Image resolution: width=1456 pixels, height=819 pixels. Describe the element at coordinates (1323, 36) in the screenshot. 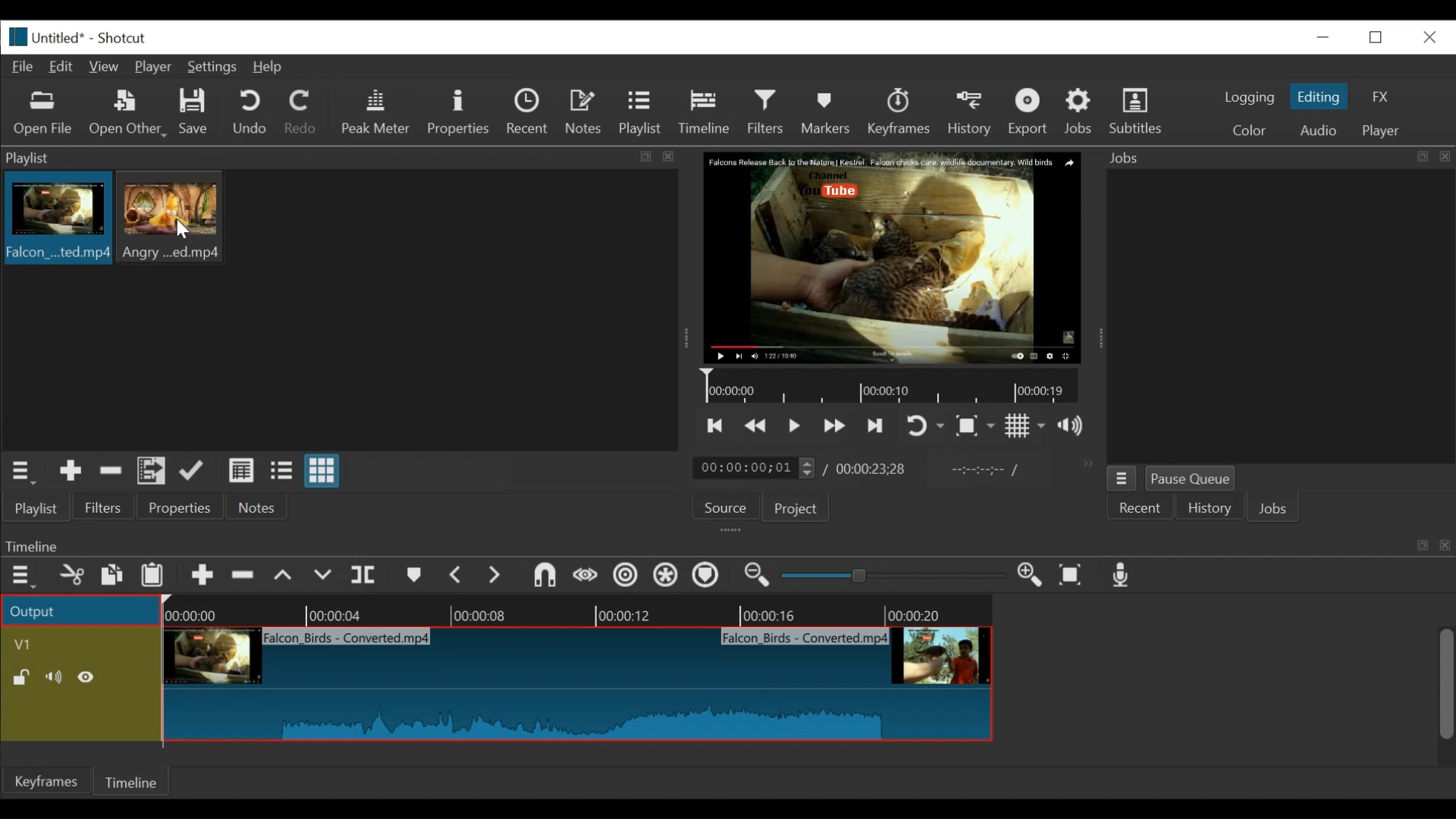

I see `minimize` at that location.